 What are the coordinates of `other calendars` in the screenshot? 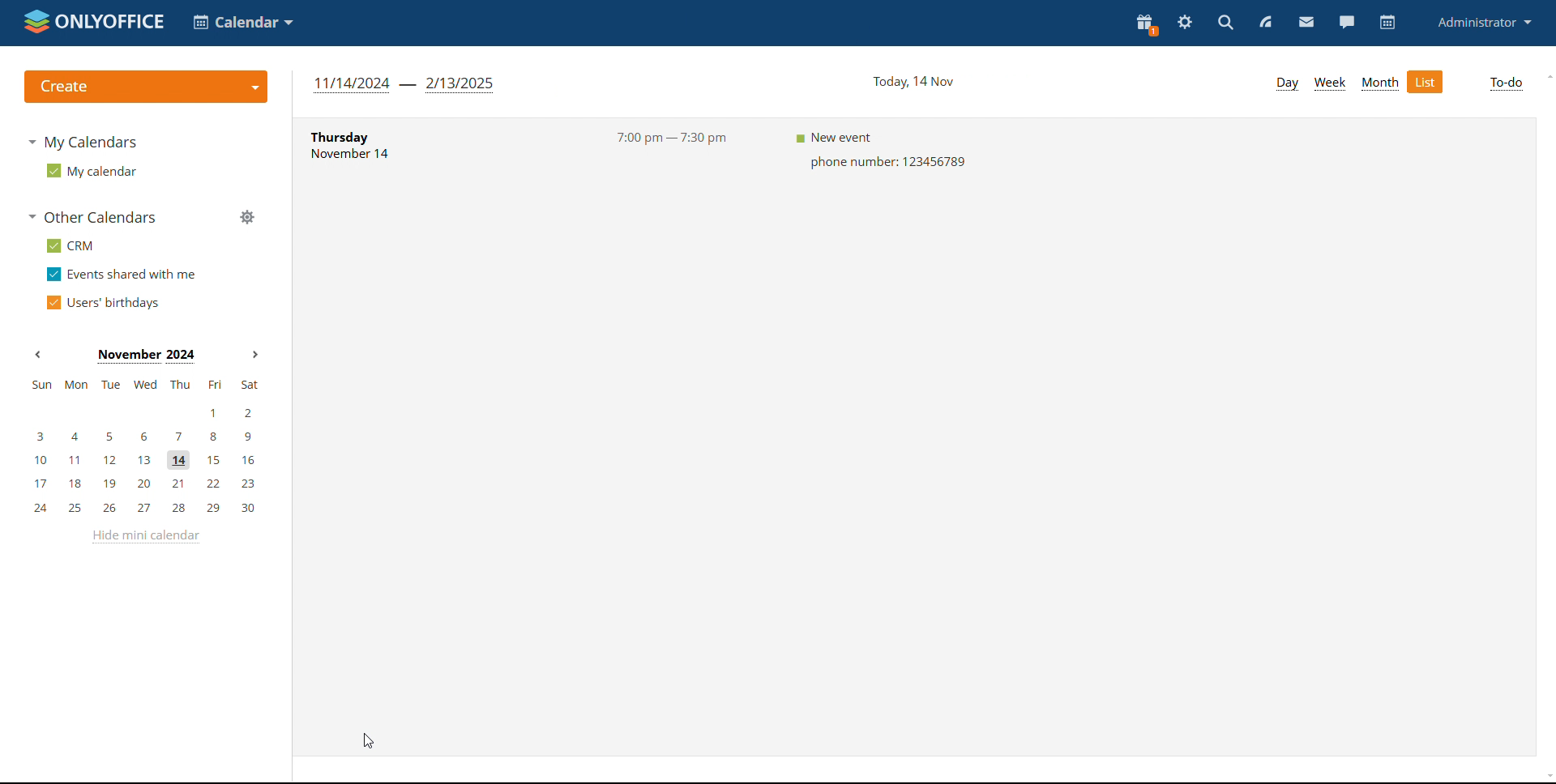 It's located at (91, 217).